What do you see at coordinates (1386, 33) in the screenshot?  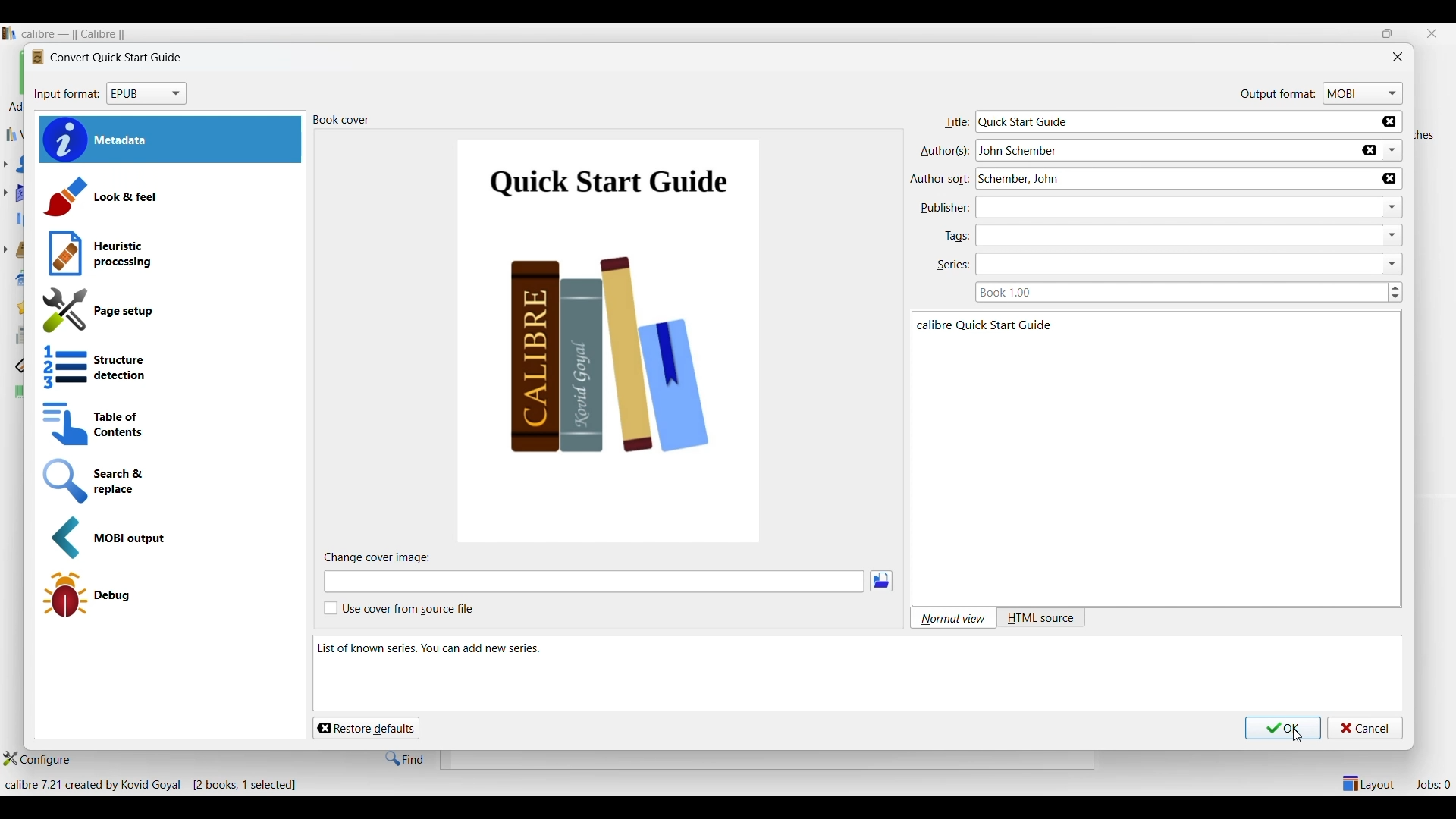 I see `restore` at bounding box center [1386, 33].